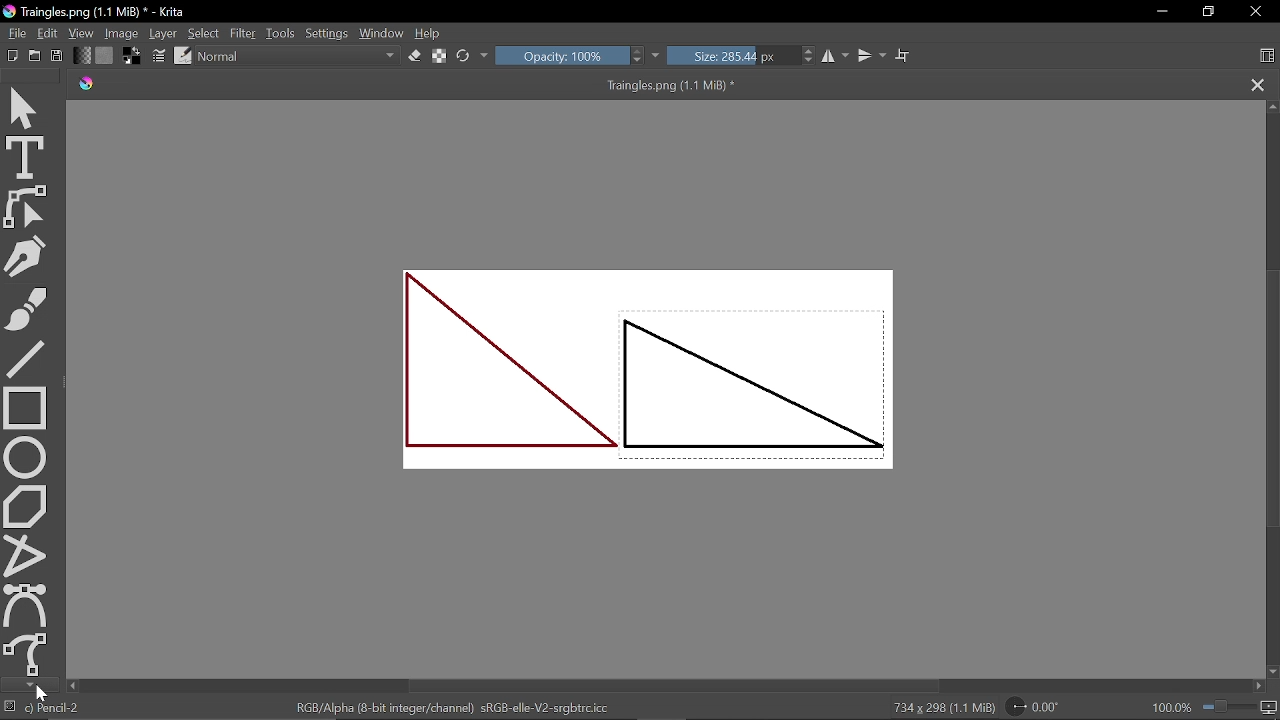  What do you see at coordinates (45, 692) in the screenshot?
I see `Cursor` at bounding box center [45, 692].